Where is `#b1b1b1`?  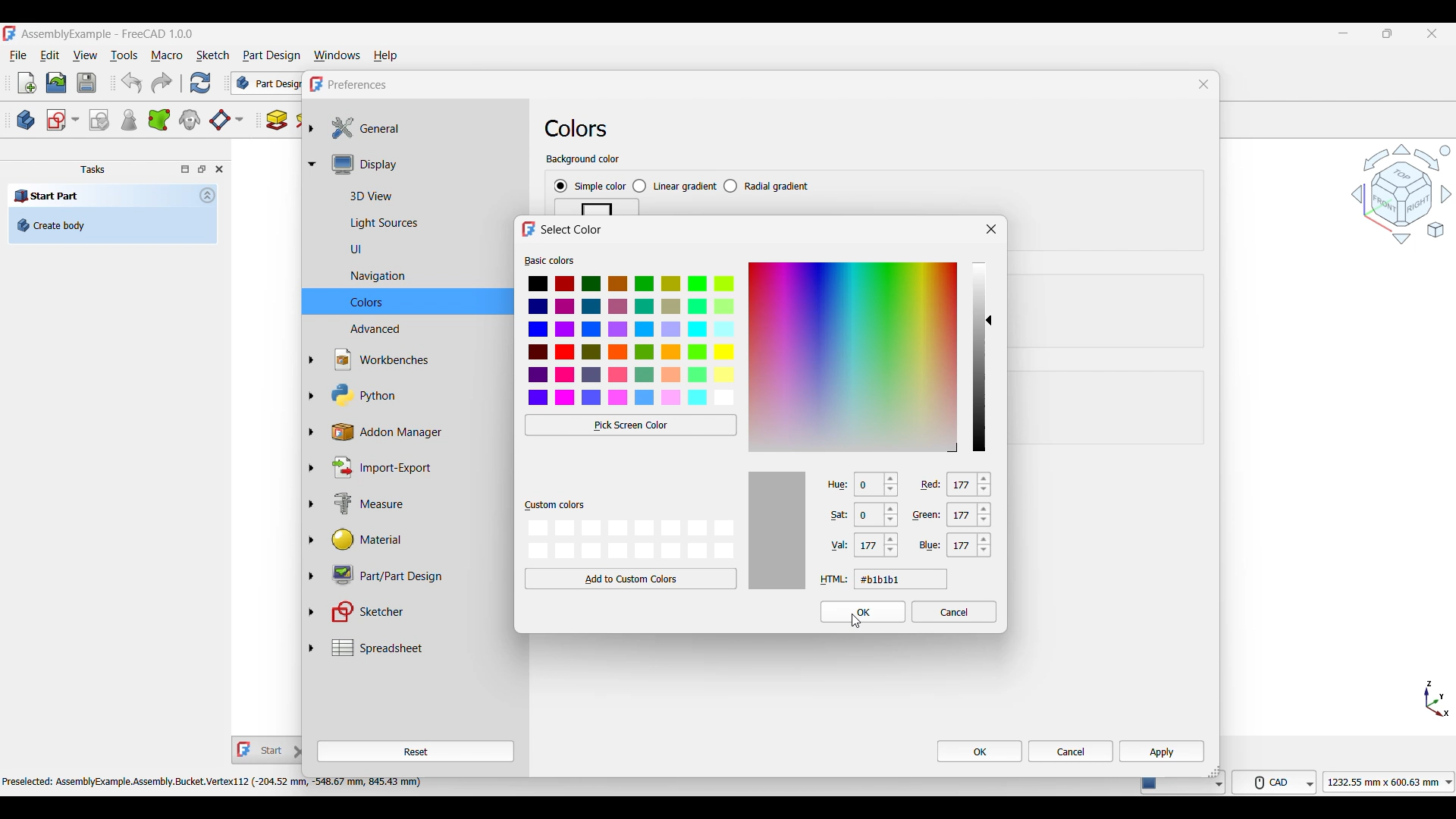
#b1b1b1 is located at coordinates (900, 579).